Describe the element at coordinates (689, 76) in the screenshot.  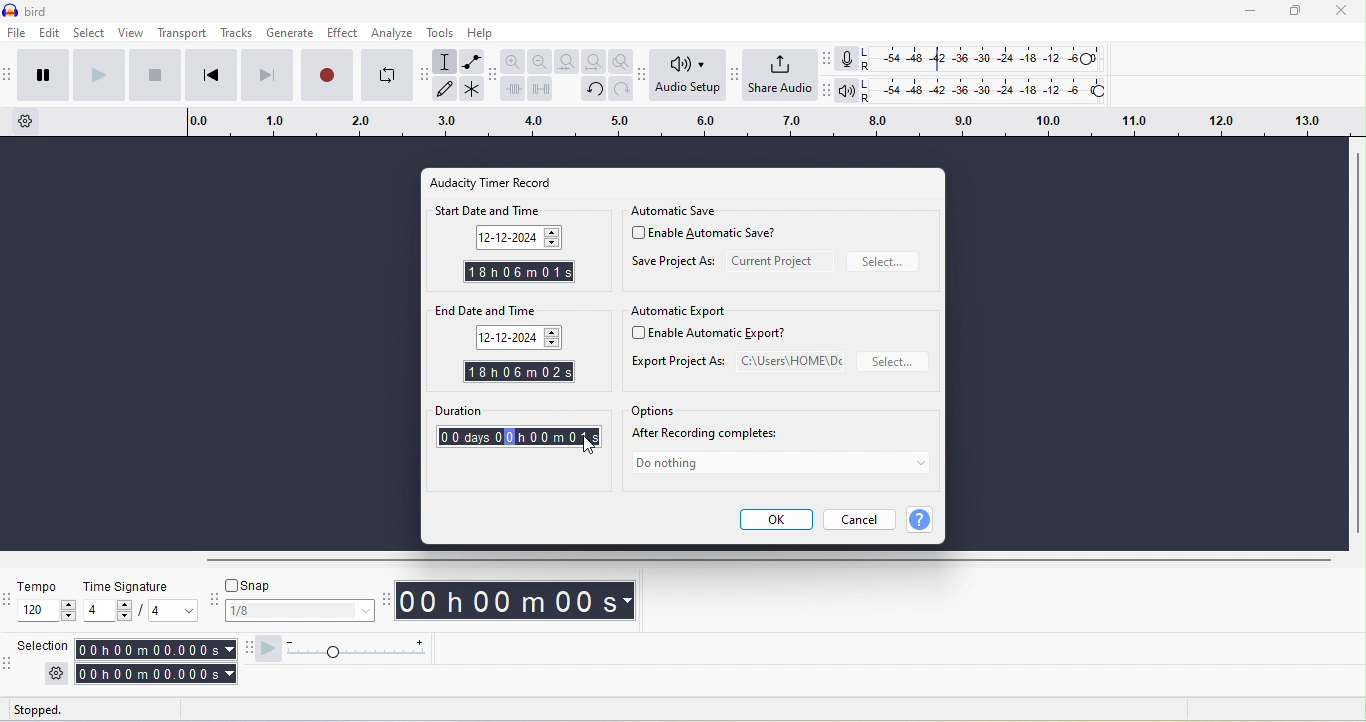
I see `audio setup` at that location.